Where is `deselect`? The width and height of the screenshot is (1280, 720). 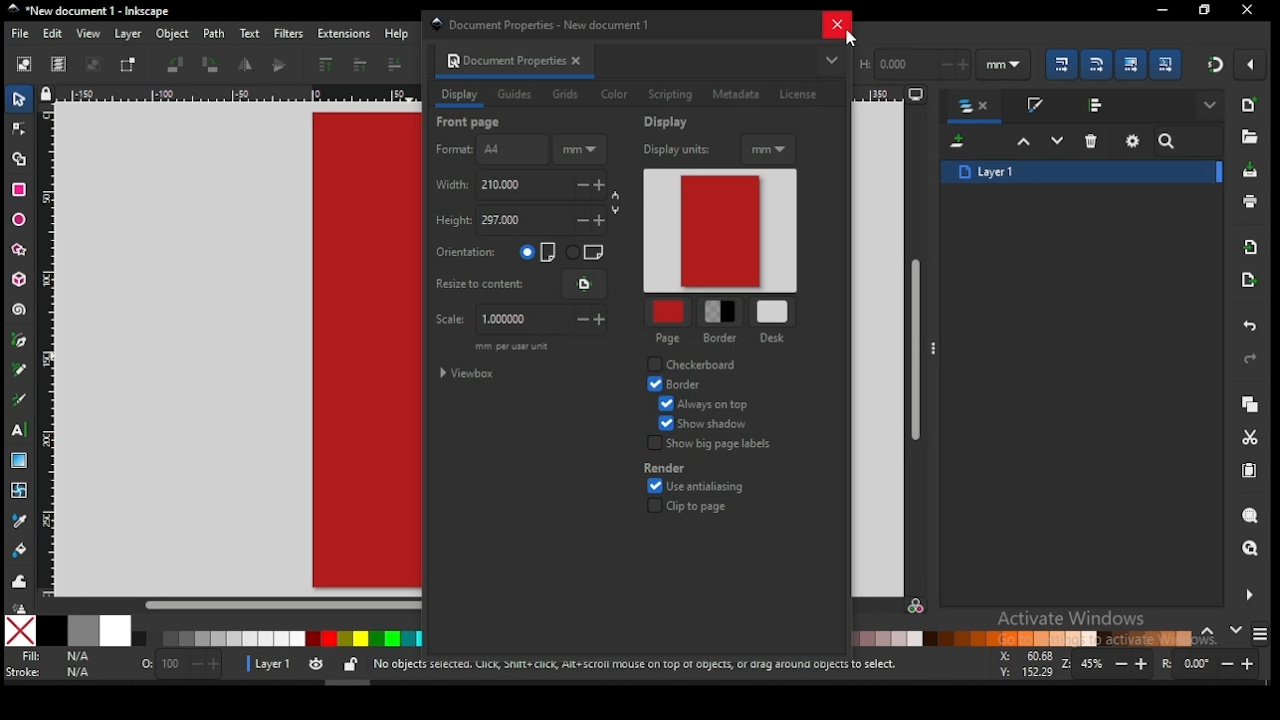 deselect is located at coordinates (90, 65).